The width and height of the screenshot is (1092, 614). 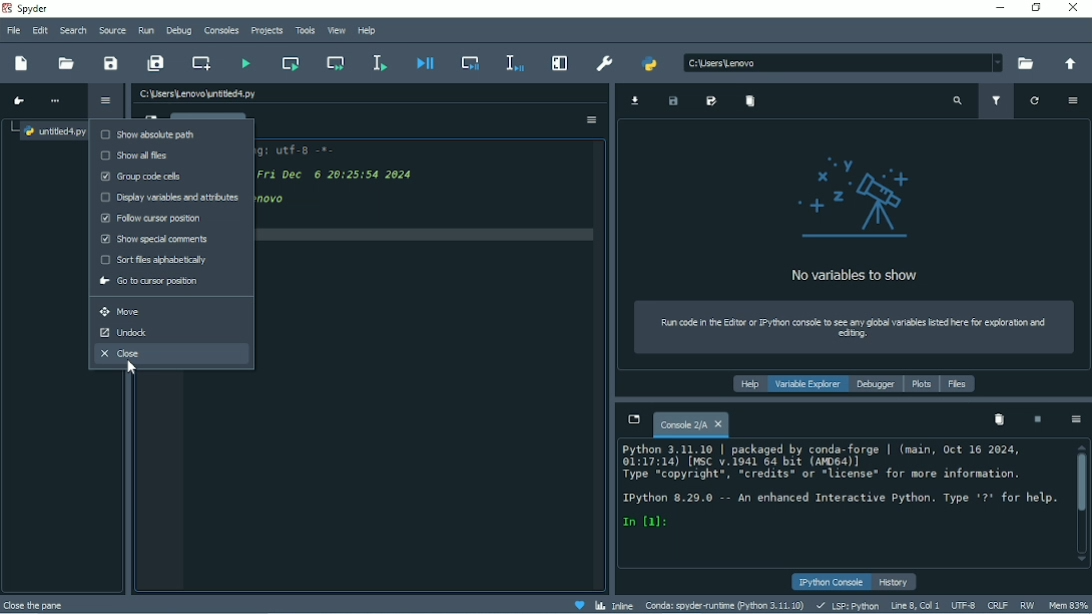 What do you see at coordinates (20, 101) in the screenshot?
I see `Go to cursor position` at bounding box center [20, 101].